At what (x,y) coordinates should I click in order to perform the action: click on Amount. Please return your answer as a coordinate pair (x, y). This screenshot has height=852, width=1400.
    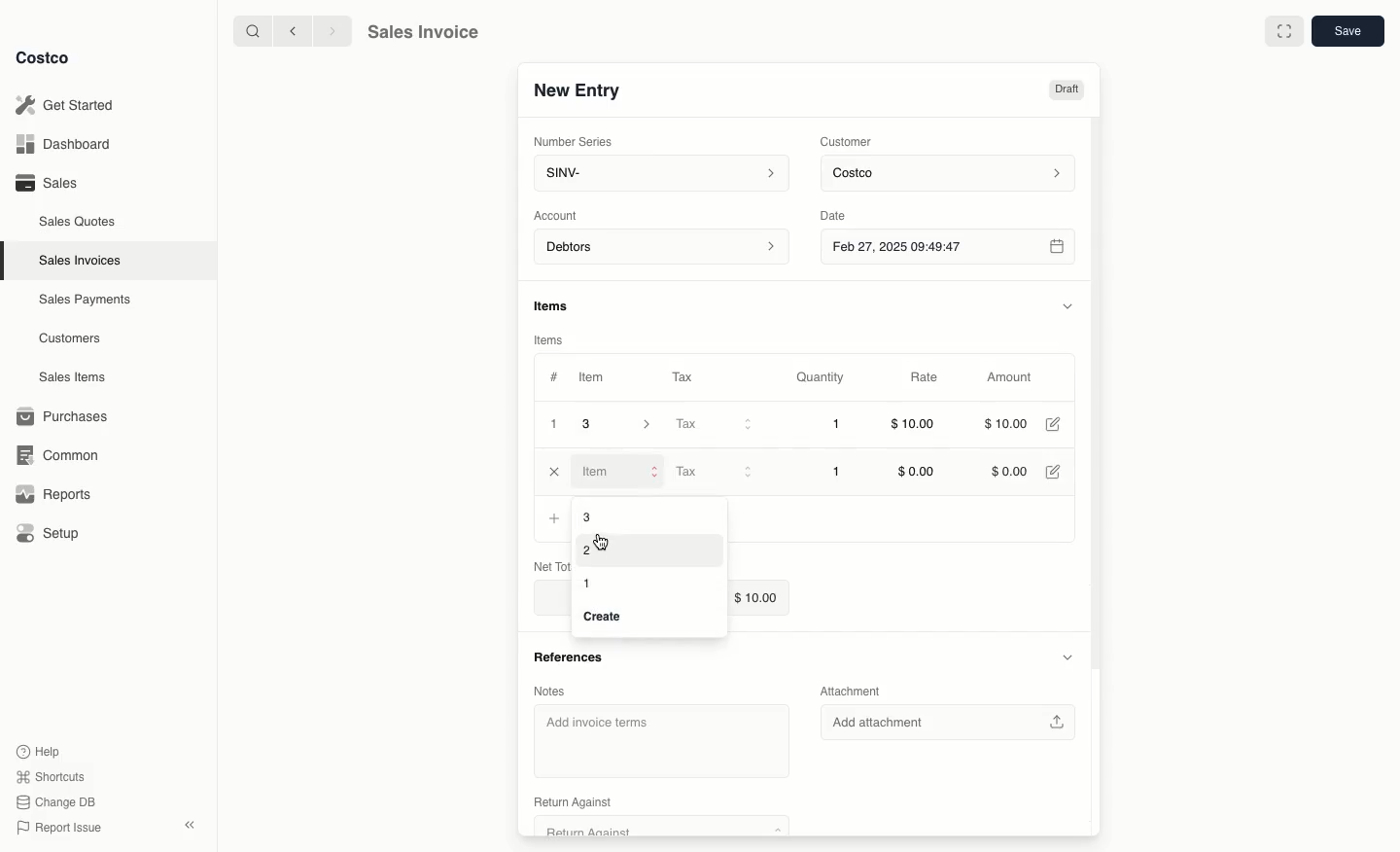
    Looking at the image, I should click on (1007, 378).